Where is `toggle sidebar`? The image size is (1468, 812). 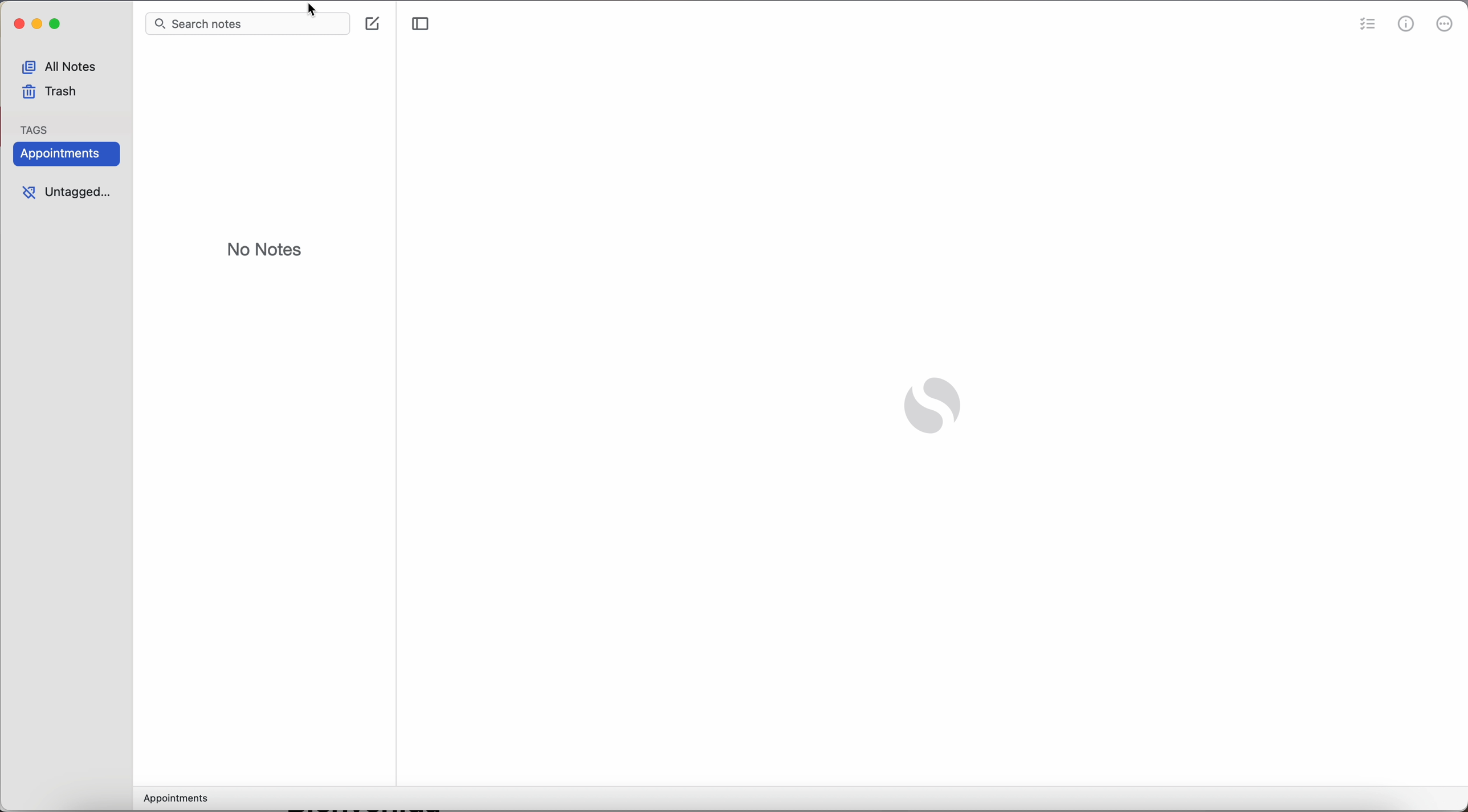
toggle sidebar is located at coordinates (421, 26).